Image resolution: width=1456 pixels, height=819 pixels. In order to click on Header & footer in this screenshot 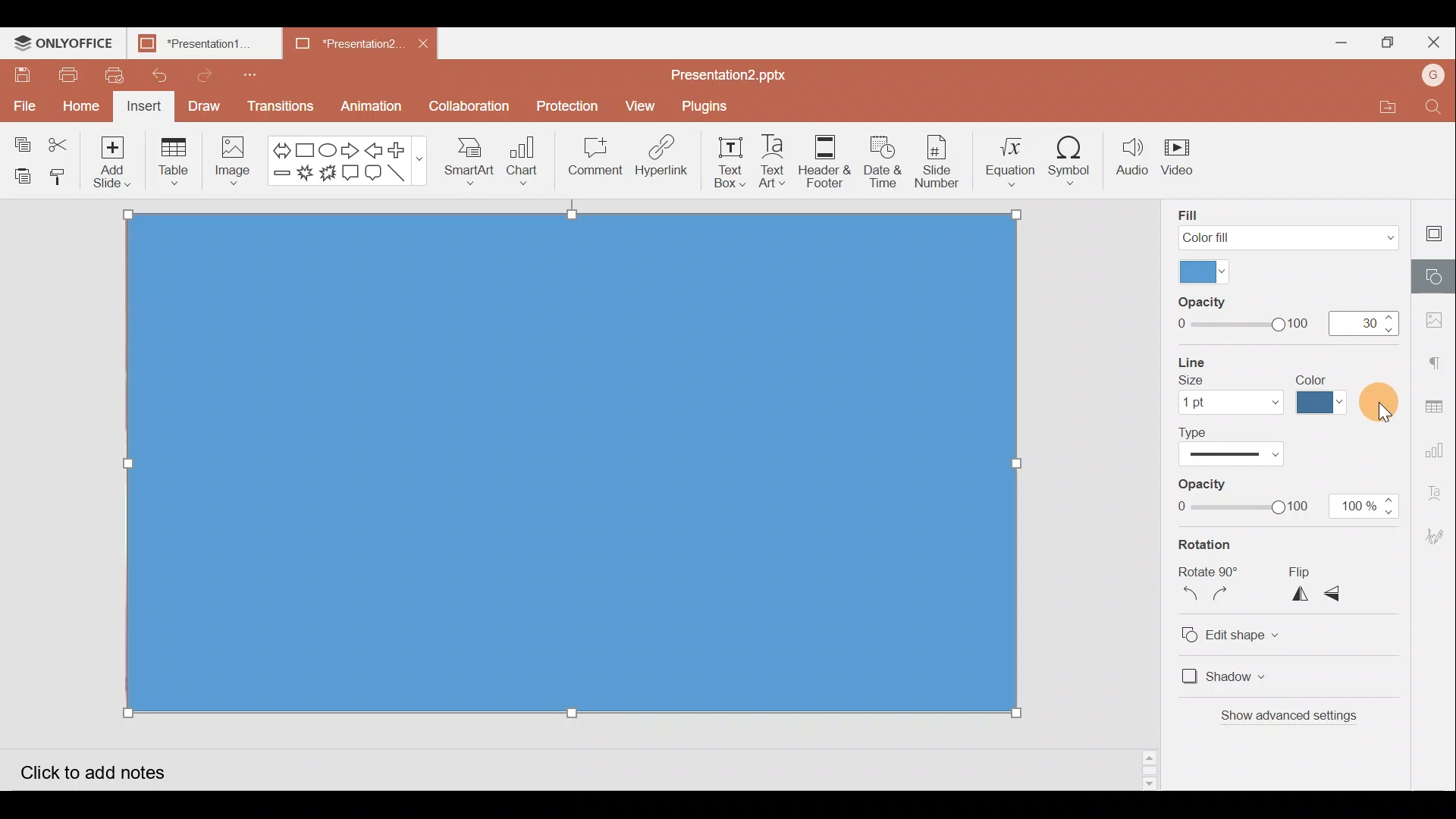, I will do `click(824, 164)`.